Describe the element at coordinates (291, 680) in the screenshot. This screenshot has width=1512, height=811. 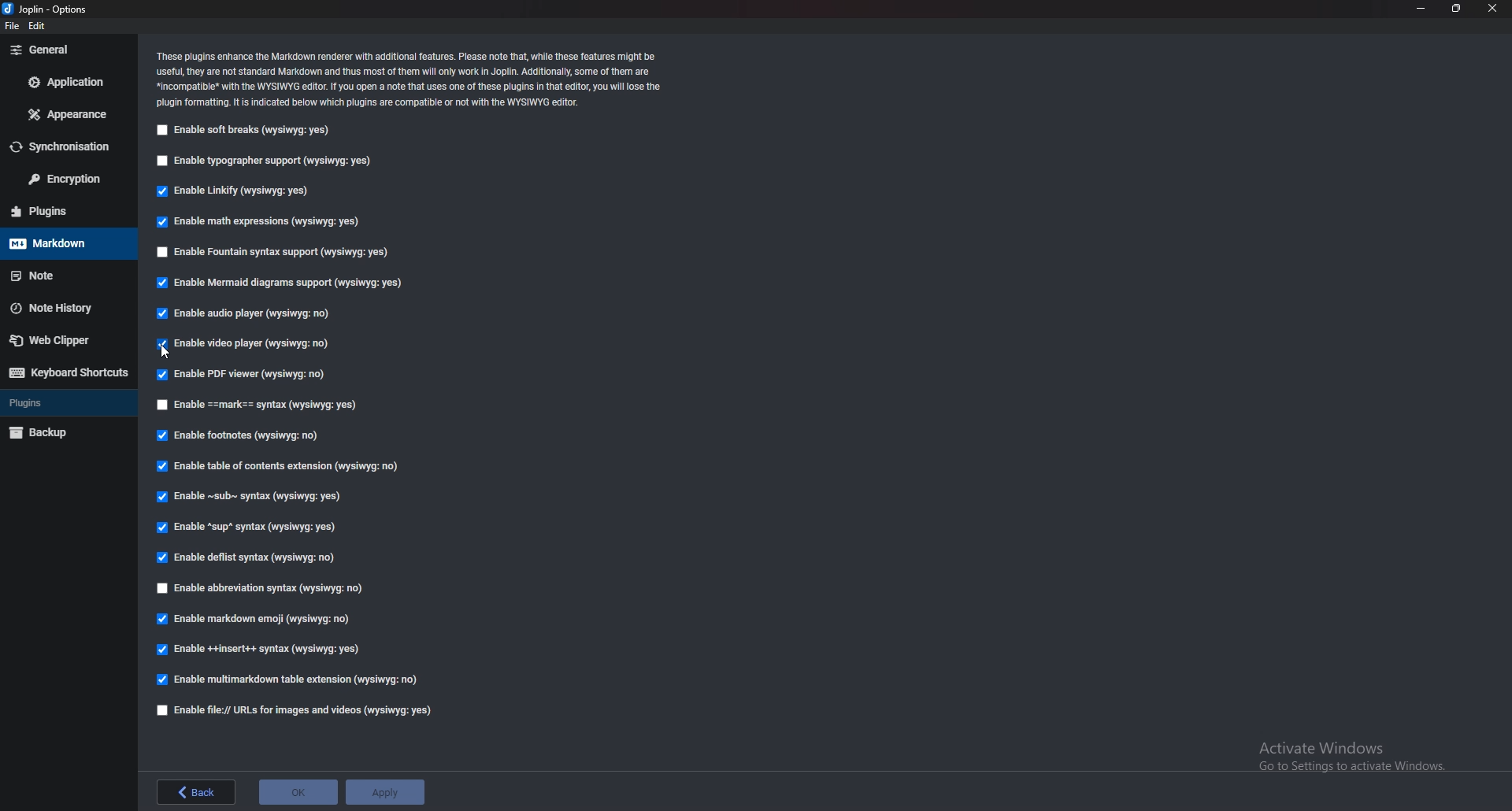
I see `enable multi markdown table extension (wysiqyg:no)` at that location.